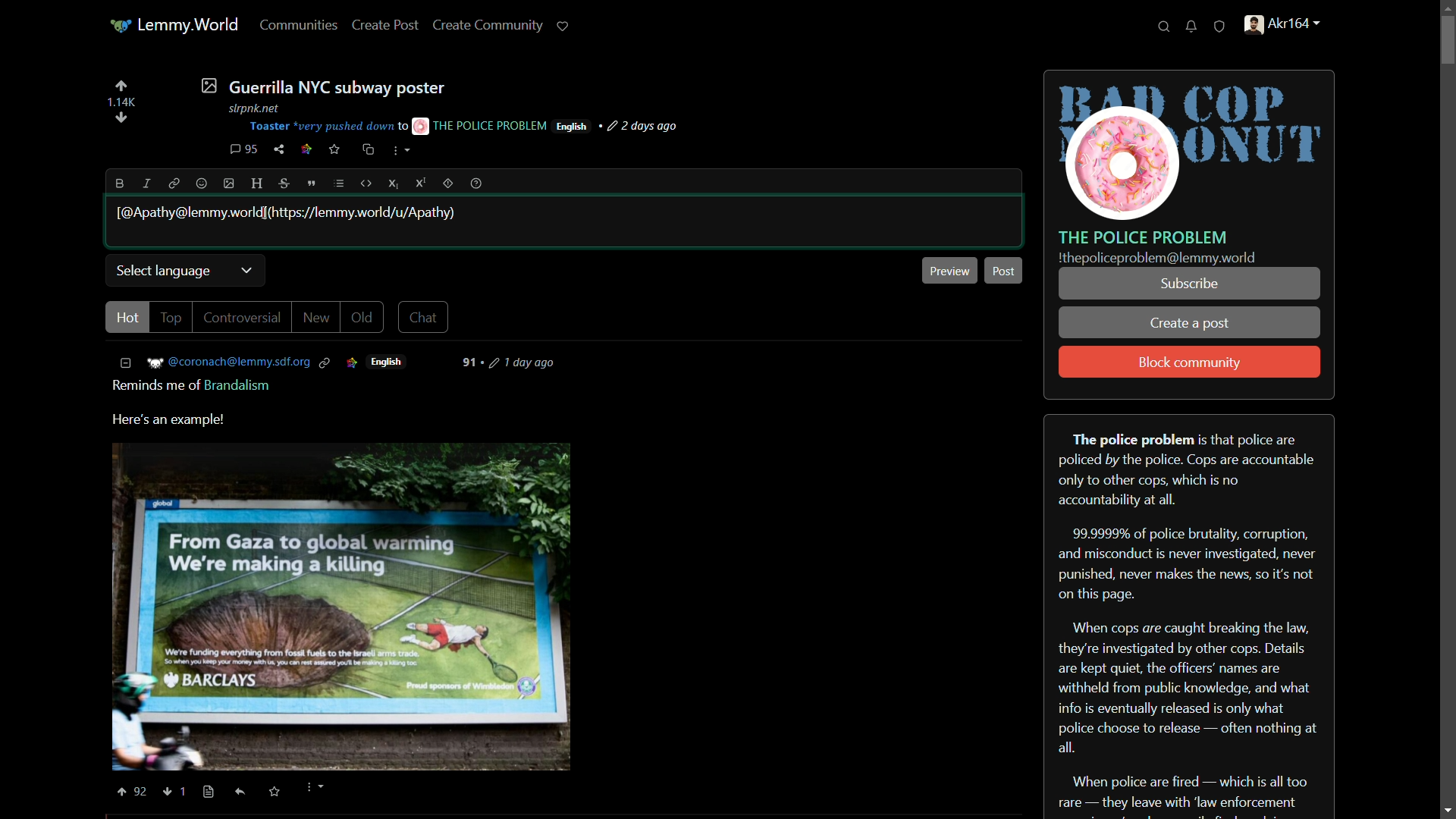 The height and width of the screenshot is (819, 1456). I want to click on code, so click(367, 184).